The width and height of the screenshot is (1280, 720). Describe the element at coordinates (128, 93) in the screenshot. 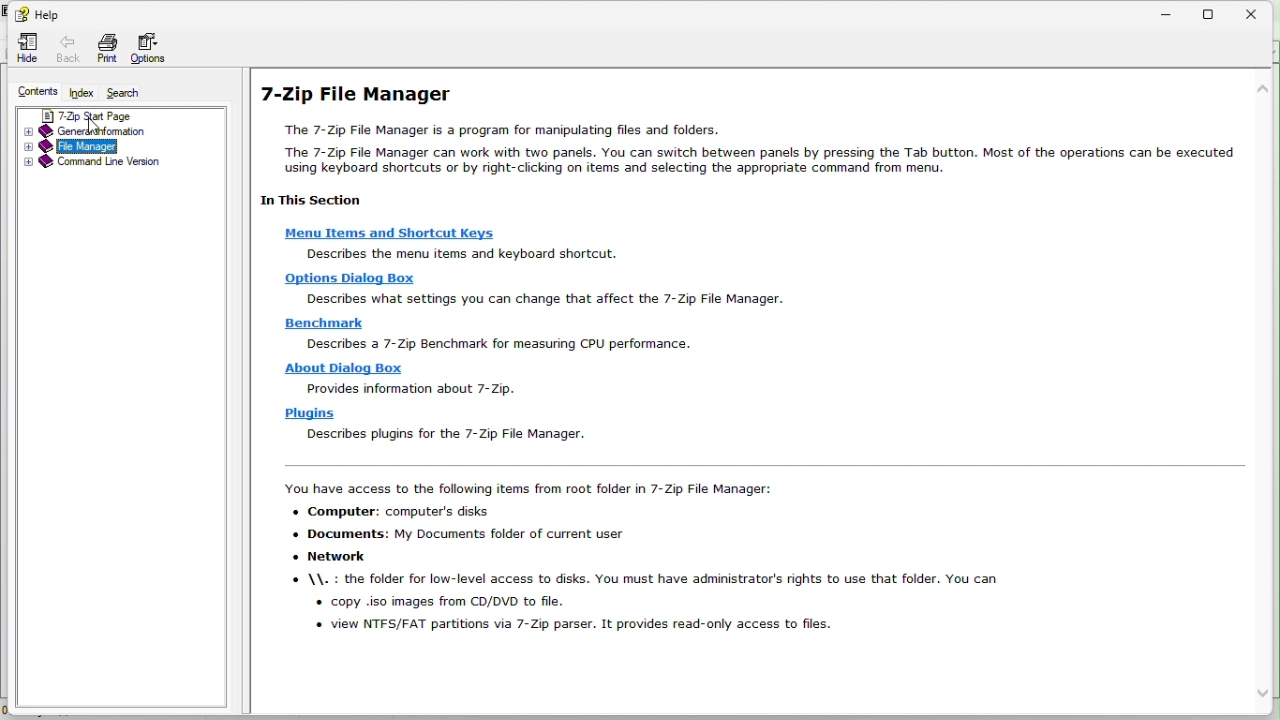

I see `Search` at that location.